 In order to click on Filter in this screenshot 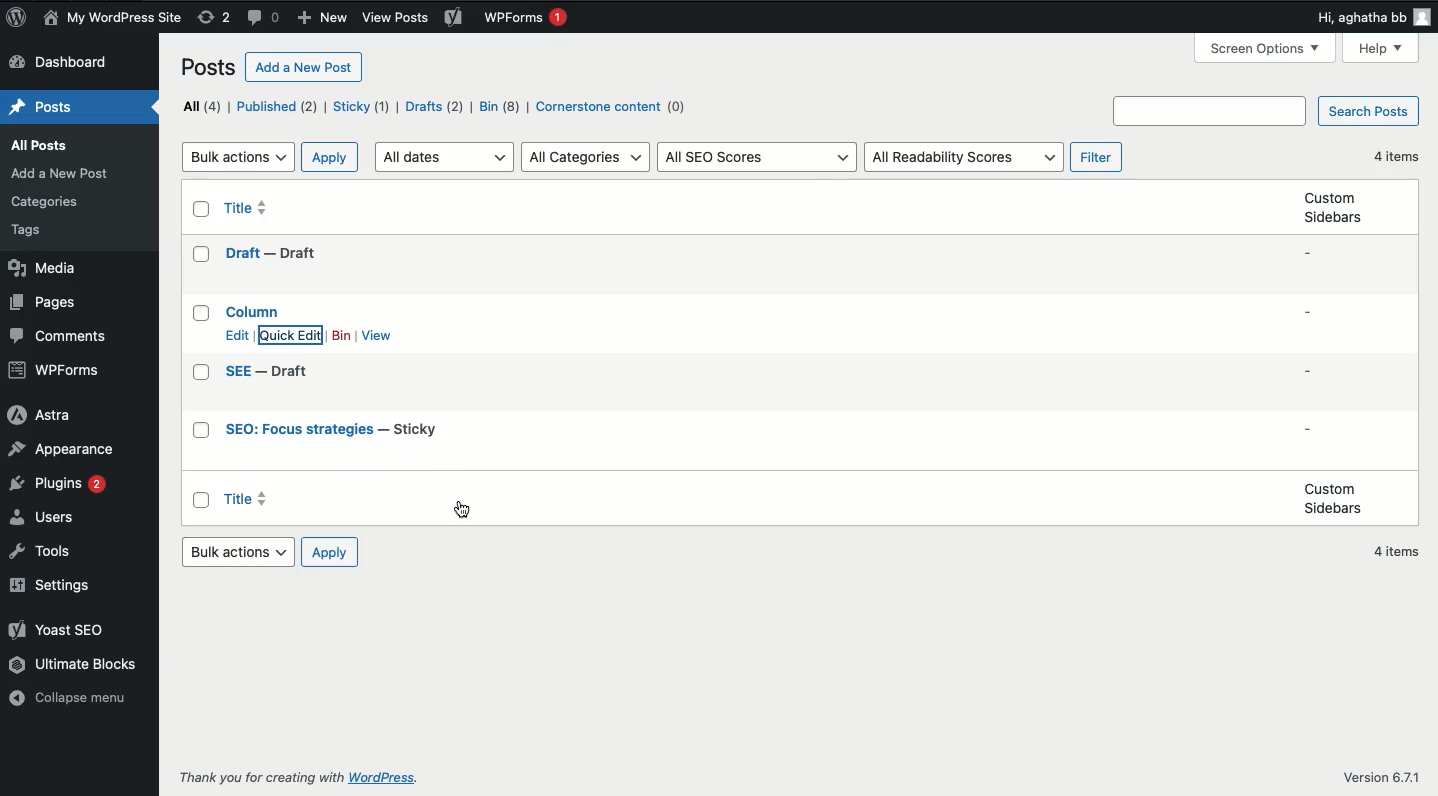, I will do `click(1099, 156)`.